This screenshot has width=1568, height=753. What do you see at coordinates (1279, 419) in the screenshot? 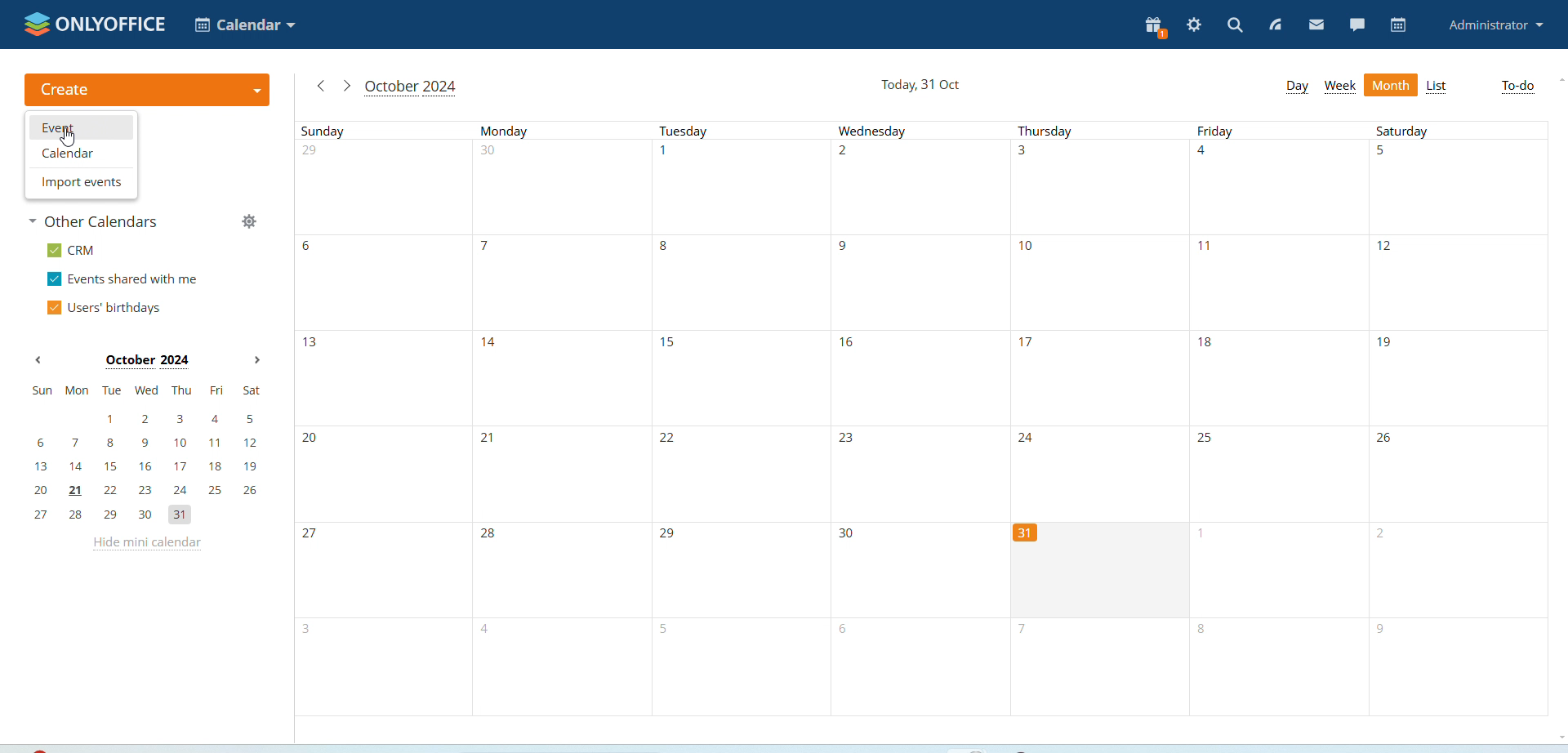
I see `Fridays` at bounding box center [1279, 419].